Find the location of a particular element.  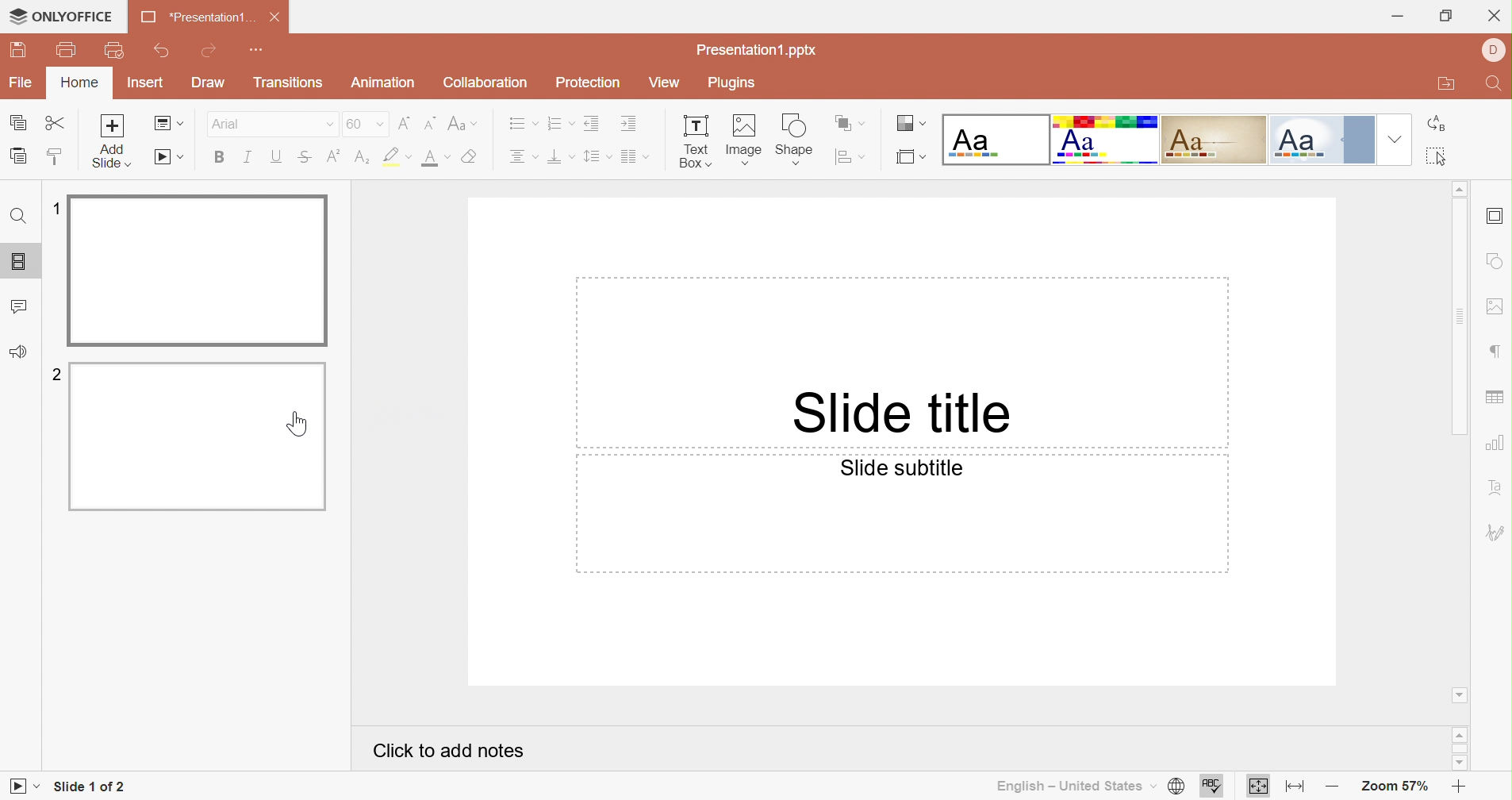

Scroll Down is located at coordinates (1460, 762).